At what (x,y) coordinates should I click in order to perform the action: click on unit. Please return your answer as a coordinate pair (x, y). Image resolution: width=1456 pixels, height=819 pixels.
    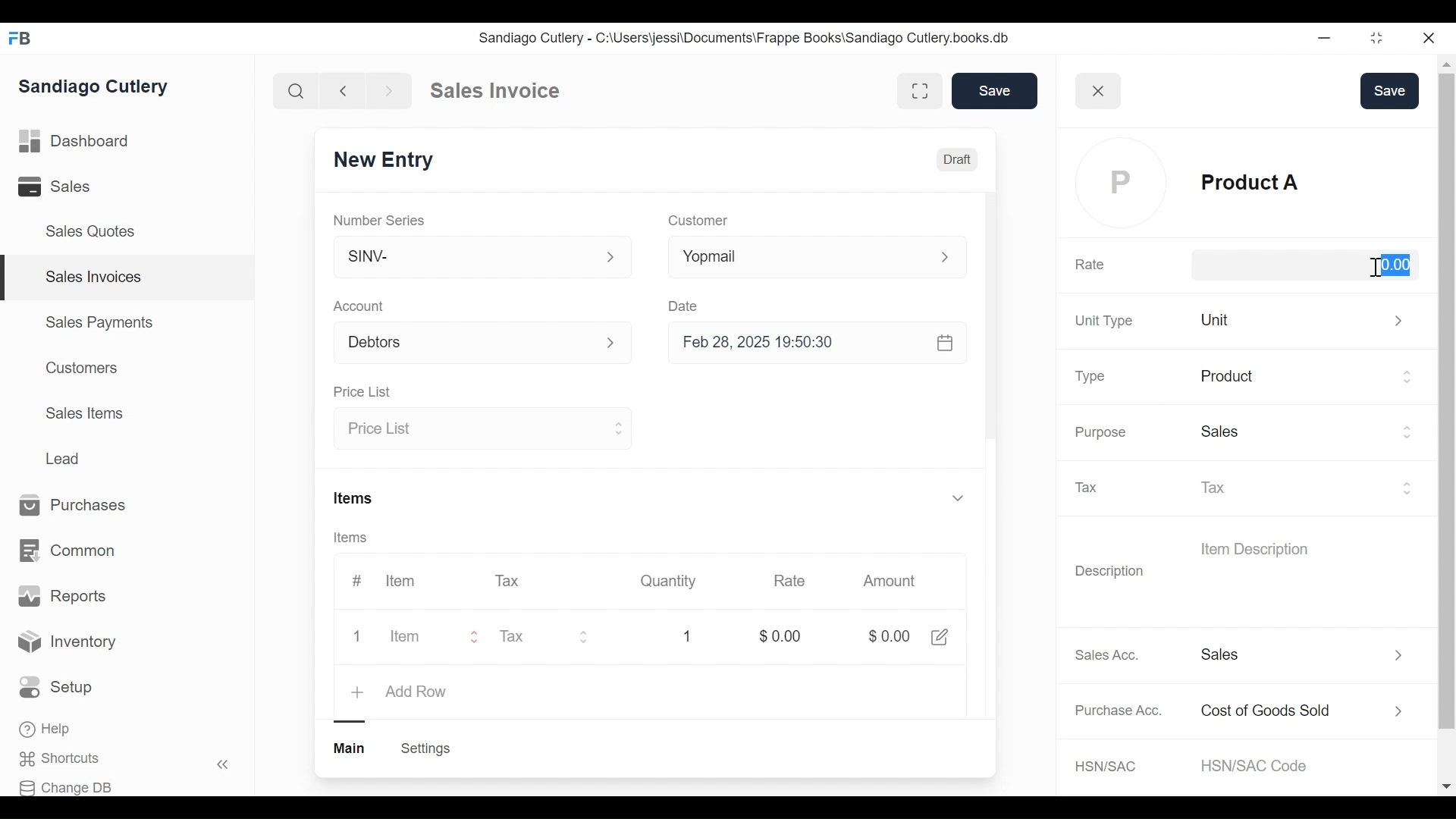
    Looking at the image, I should click on (1307, 319).